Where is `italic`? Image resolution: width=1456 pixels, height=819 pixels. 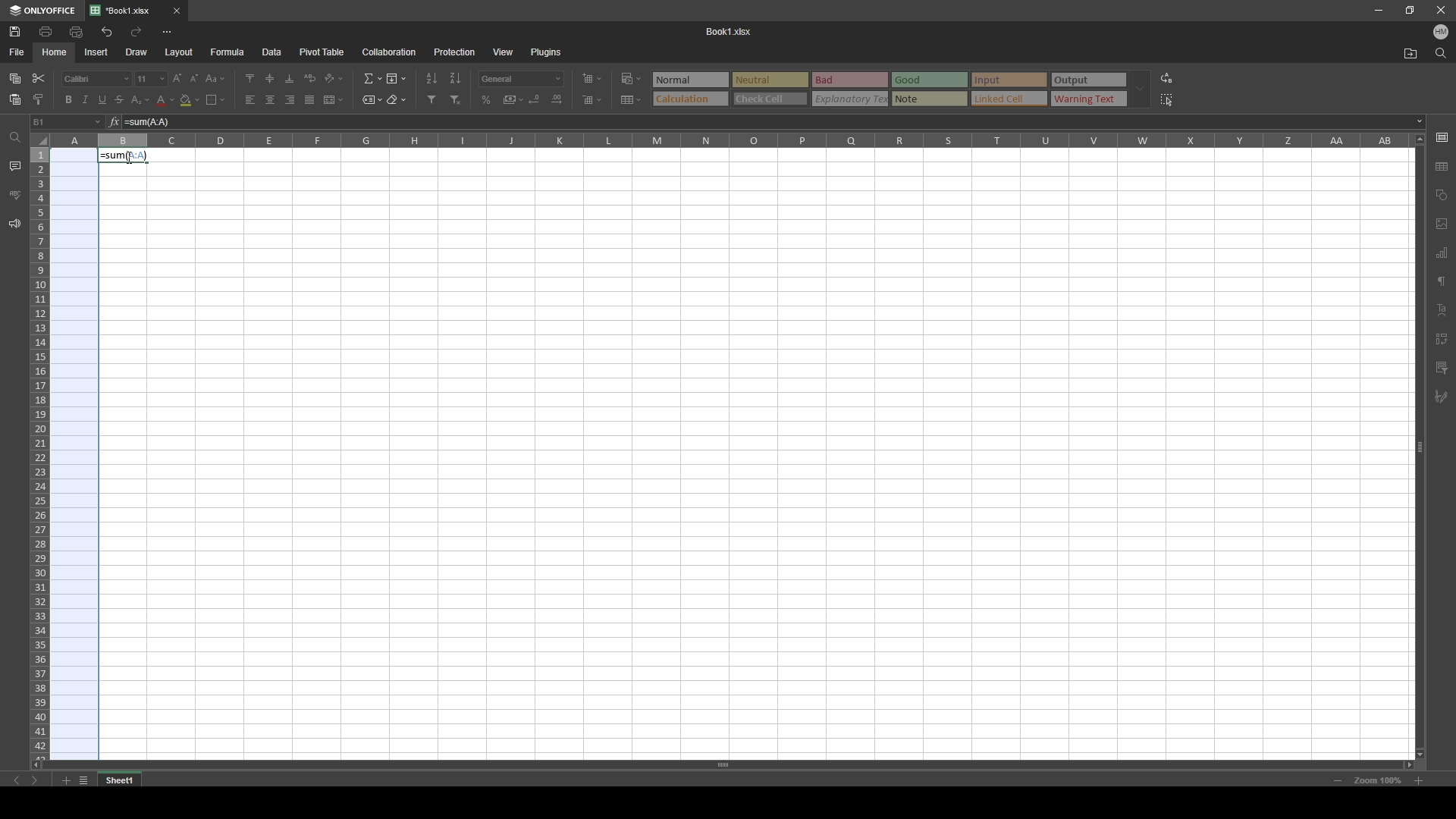
italic is located at coordinates (85, 101).